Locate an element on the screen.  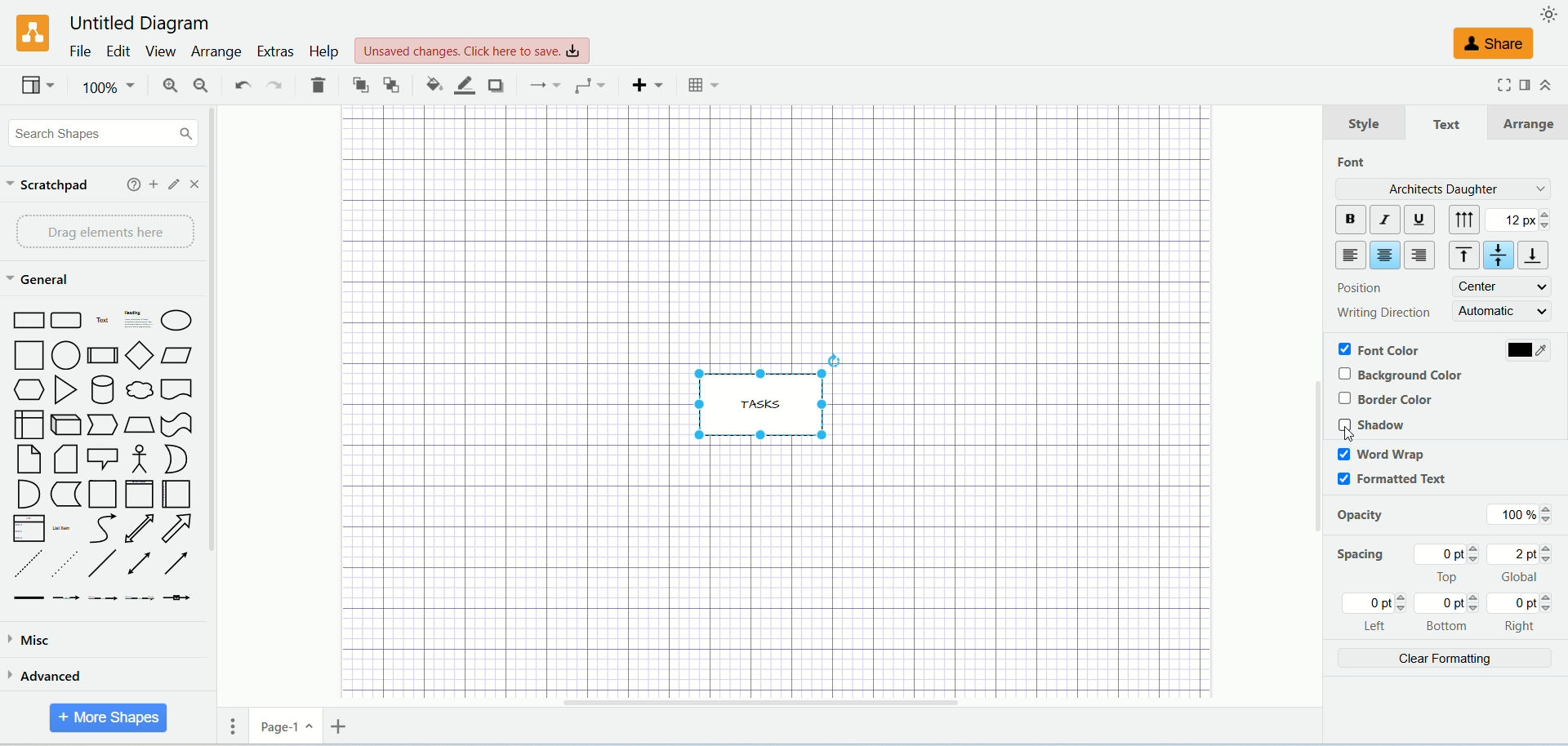
Actor is located at coordinates (137, 460).